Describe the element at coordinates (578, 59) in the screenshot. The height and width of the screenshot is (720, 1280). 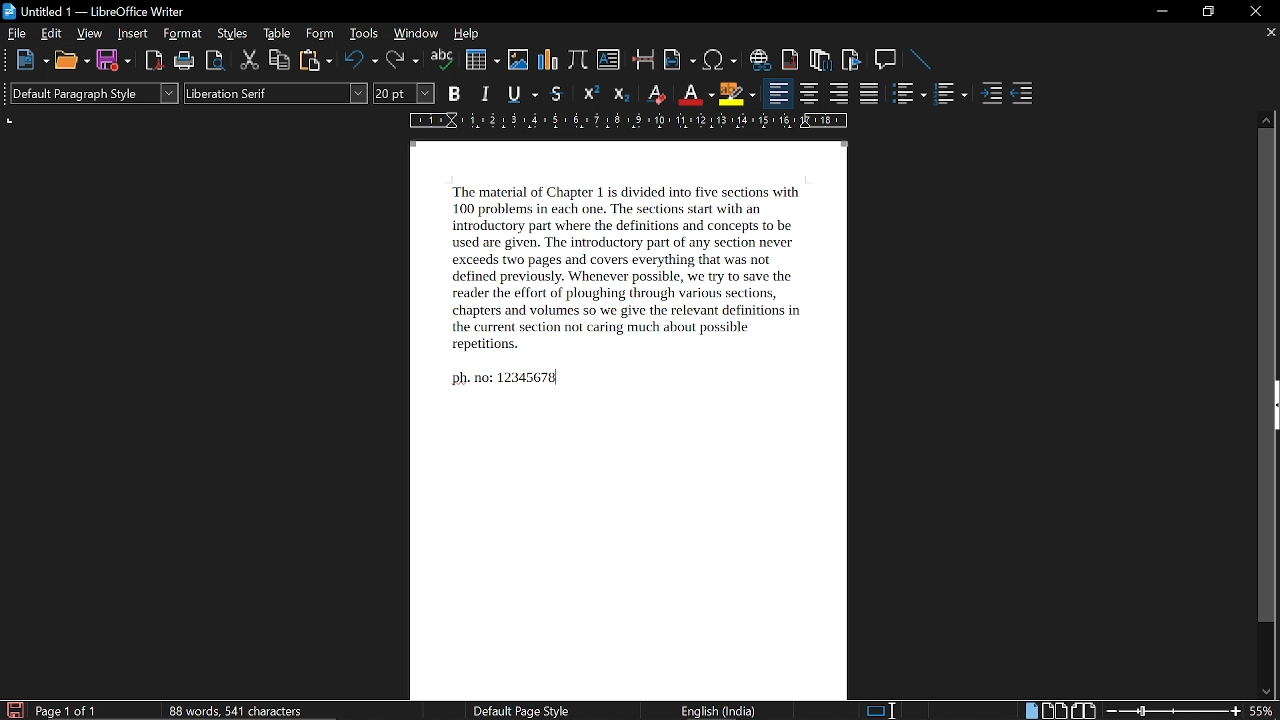
I see `insert formula` at that location.